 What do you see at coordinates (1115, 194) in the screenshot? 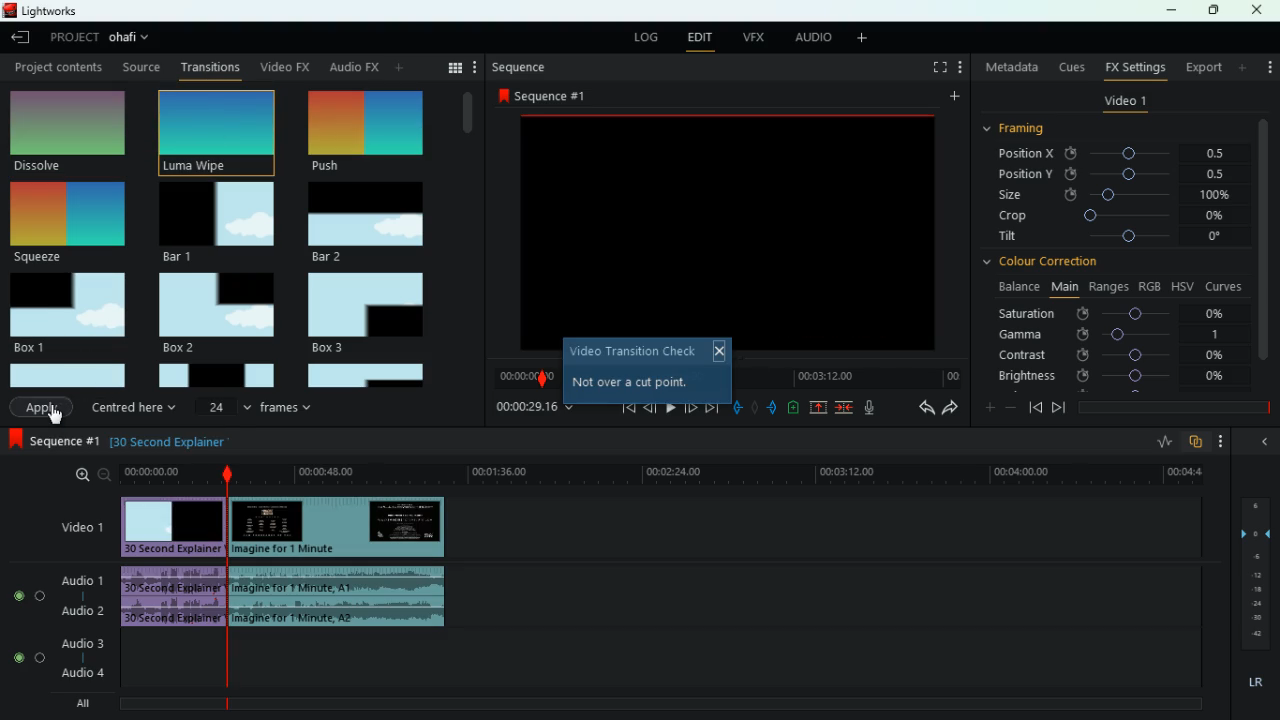
I see `size` at bounding box center [1115, 194].